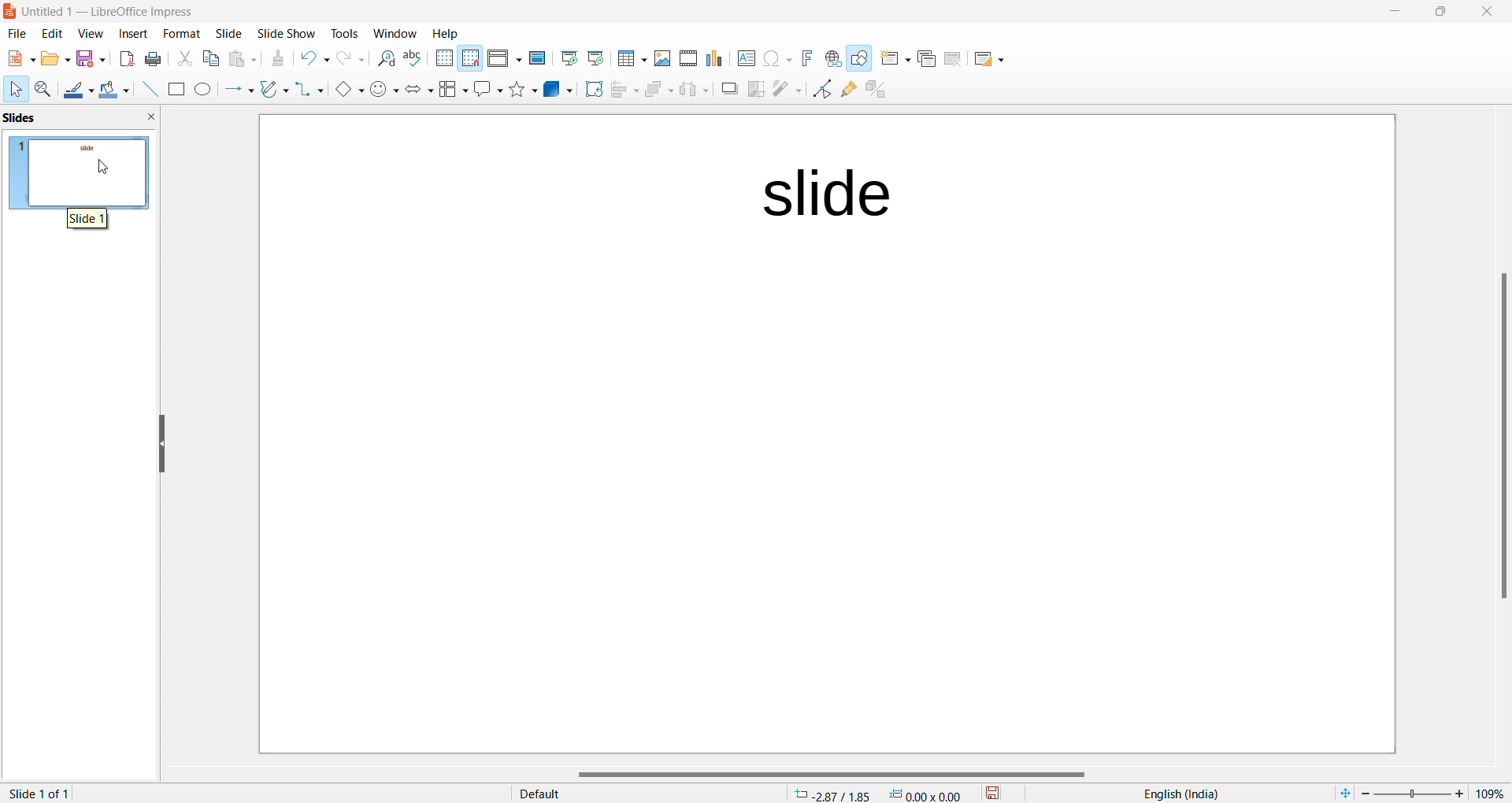 Image resolution: width=1512 pixels, height=803 pixels. What do you see at coordinates (924, 61) in the screenshot?
I see `Duplicate slide` at bounding box center [924, 61].